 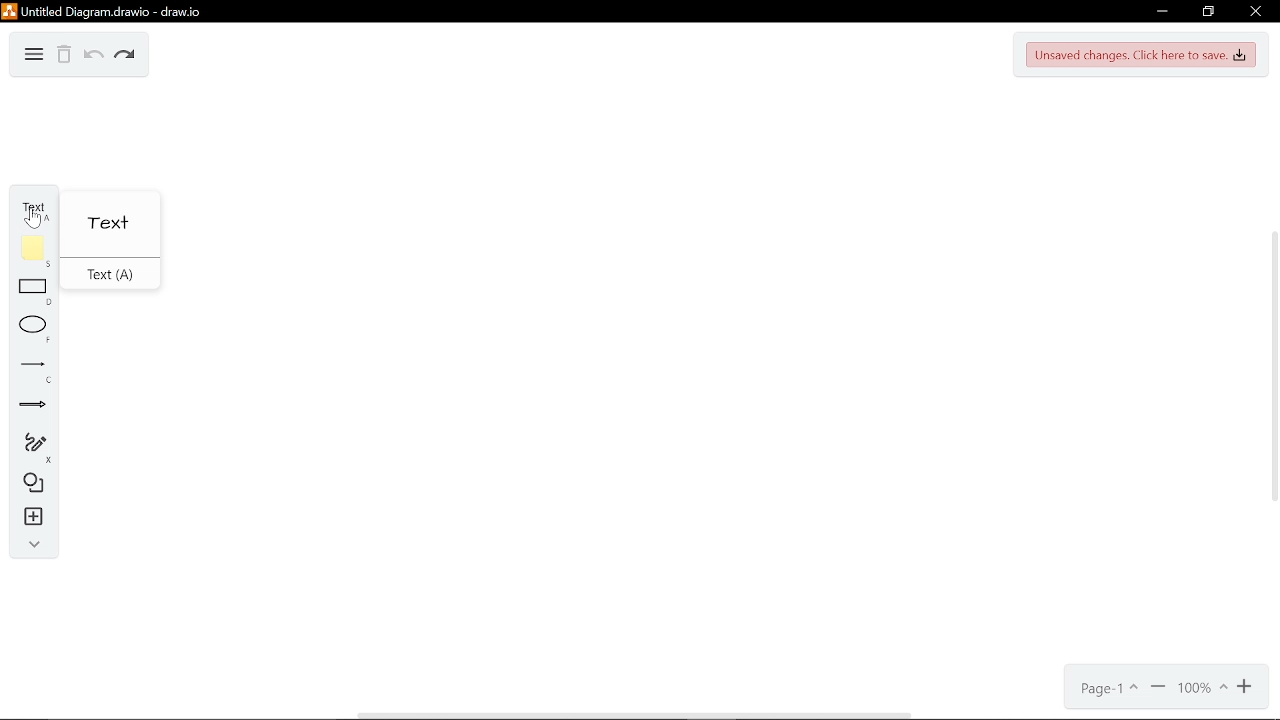 What do you see at coordinates (1109, 689) in the screenshot?
I see `current page` at bounding box center [1109, 689].